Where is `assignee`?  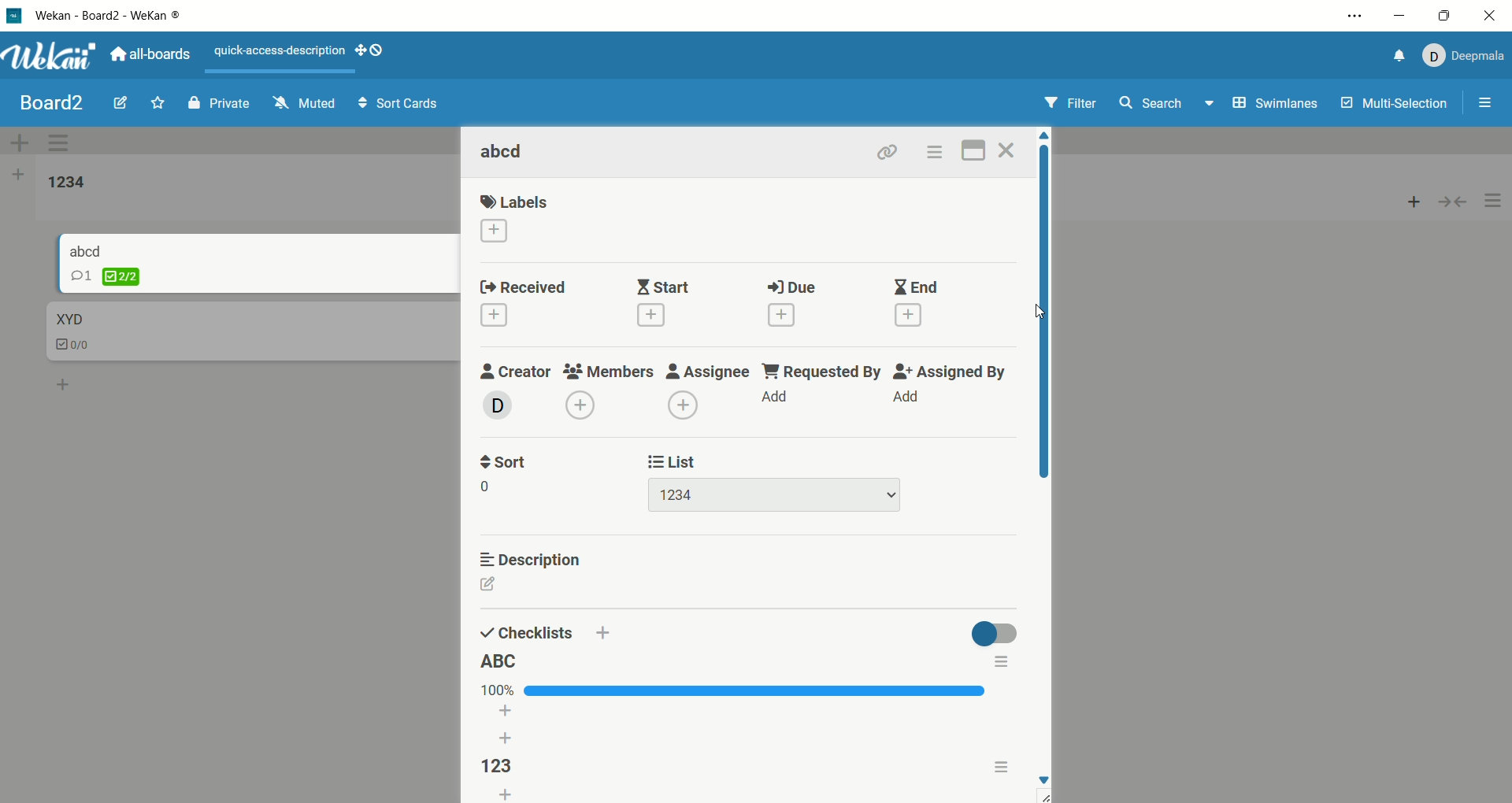 assignee is located at coordinates (706, 369).